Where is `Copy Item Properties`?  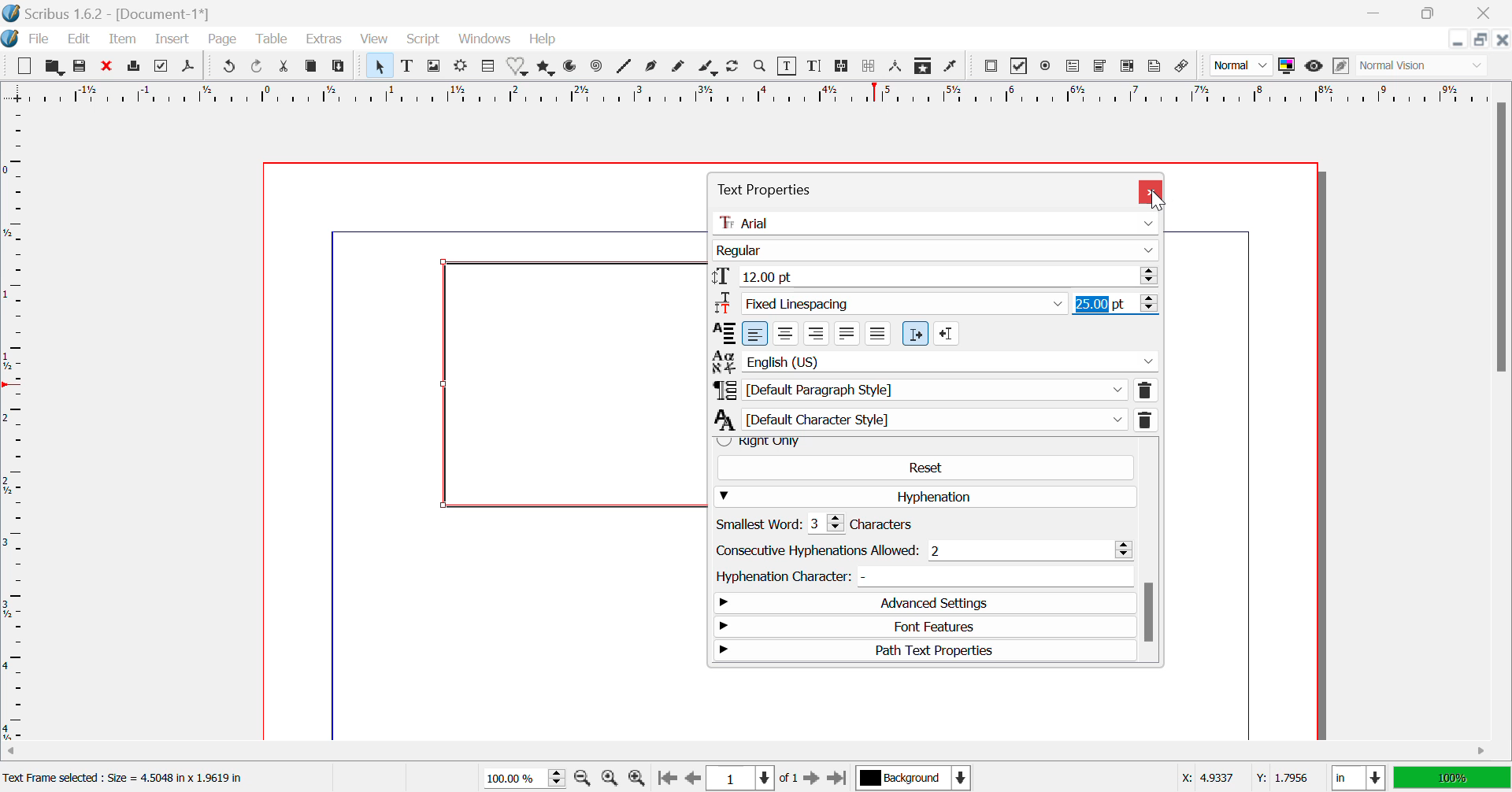
Copy Item Properties is located at coordinates (925, 67).